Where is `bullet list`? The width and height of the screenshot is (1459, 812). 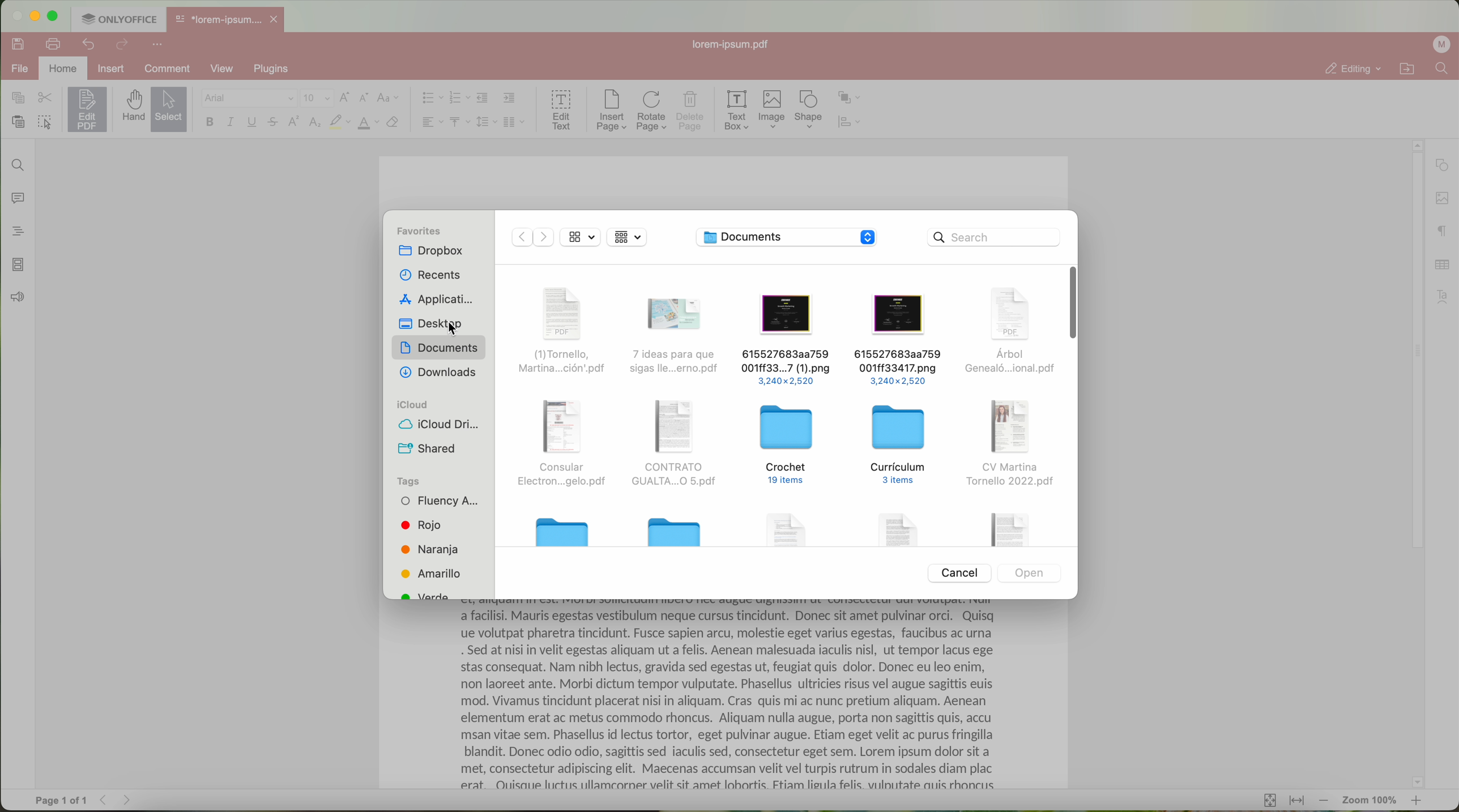 bullet list is located at coordinates (429, 99).